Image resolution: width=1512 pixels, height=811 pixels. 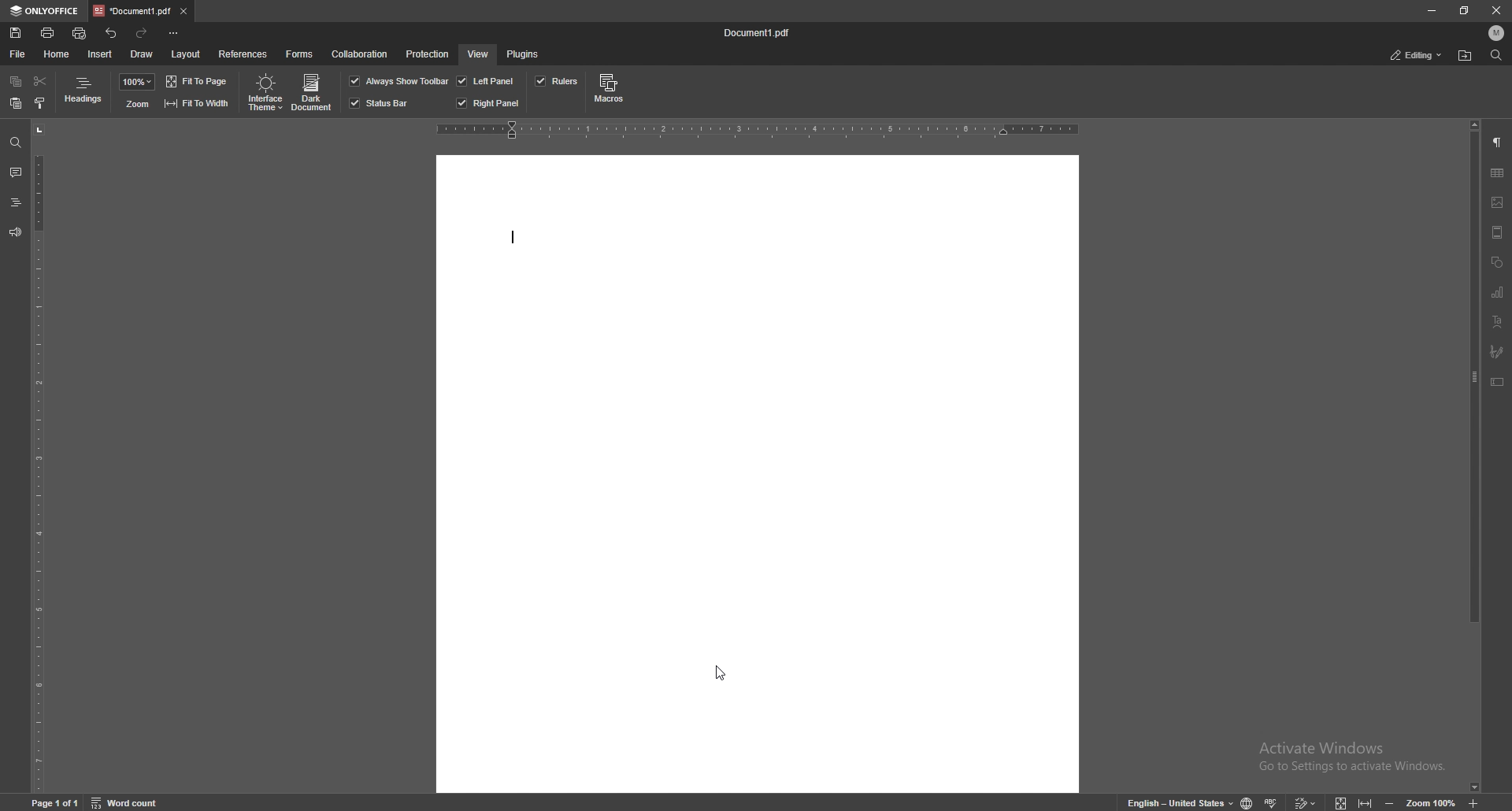 What do you see at coordinates (81, 33) in the screenshot?
I see `quick print` at bounding box center [81, 33].